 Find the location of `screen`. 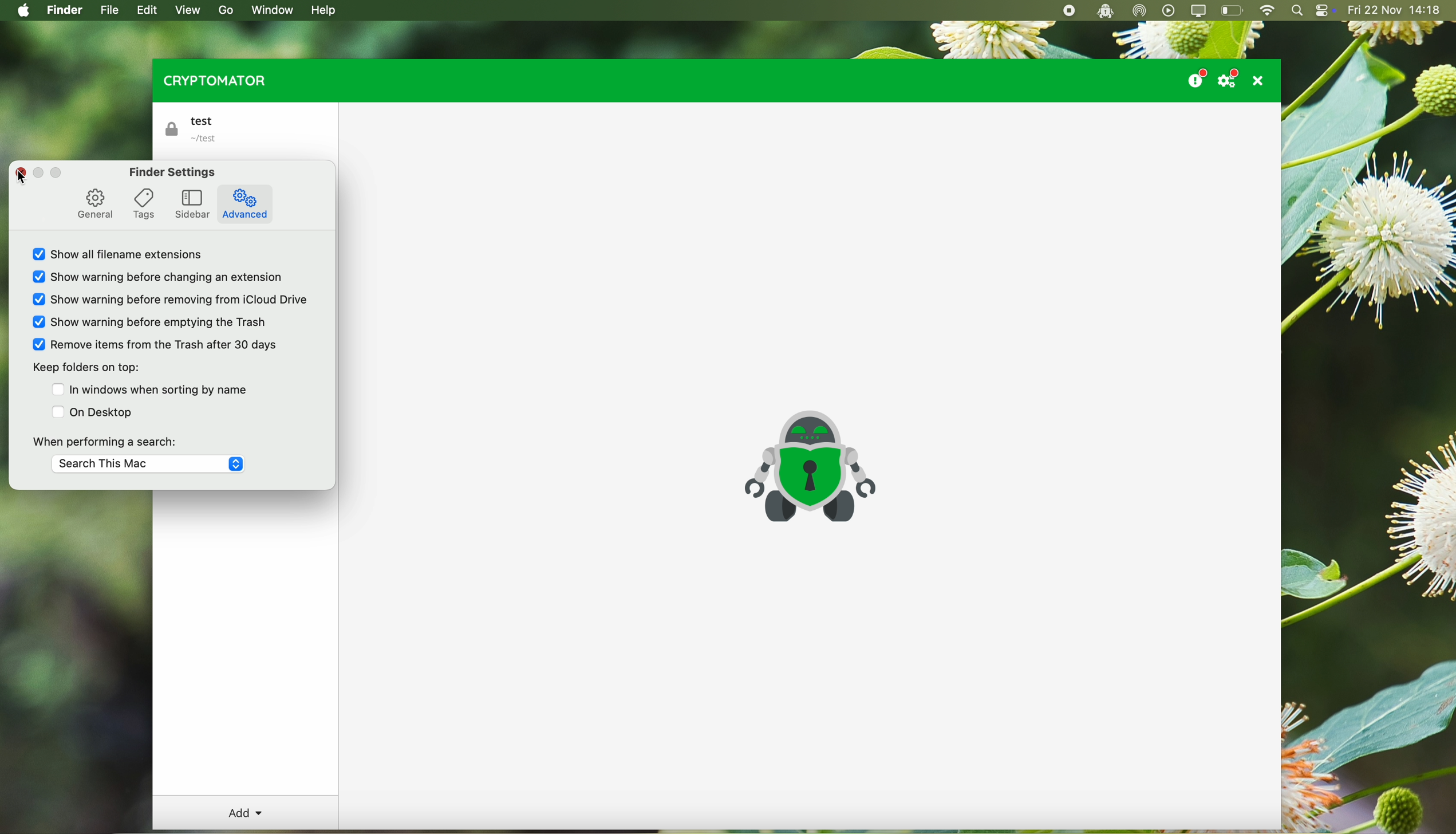

screen is located at coordinates (1200, 11).